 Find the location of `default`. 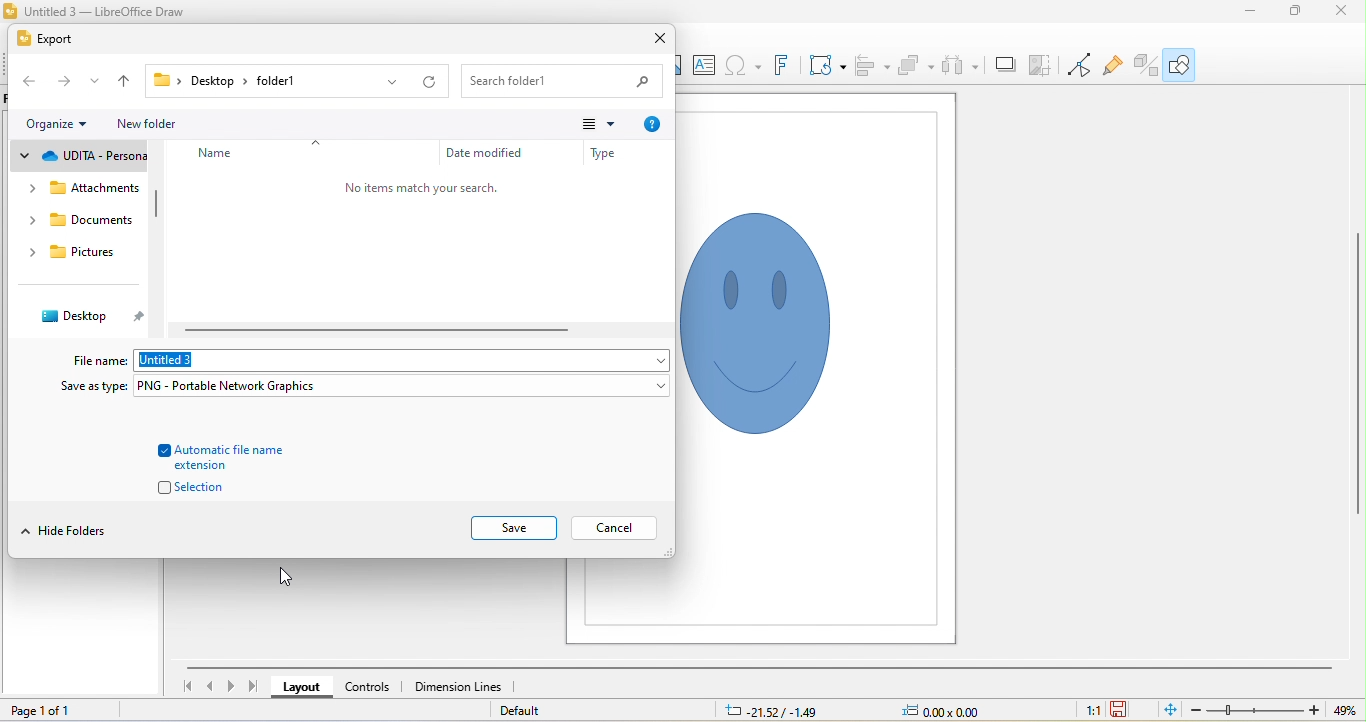

default is located at coordinates (518, 706).